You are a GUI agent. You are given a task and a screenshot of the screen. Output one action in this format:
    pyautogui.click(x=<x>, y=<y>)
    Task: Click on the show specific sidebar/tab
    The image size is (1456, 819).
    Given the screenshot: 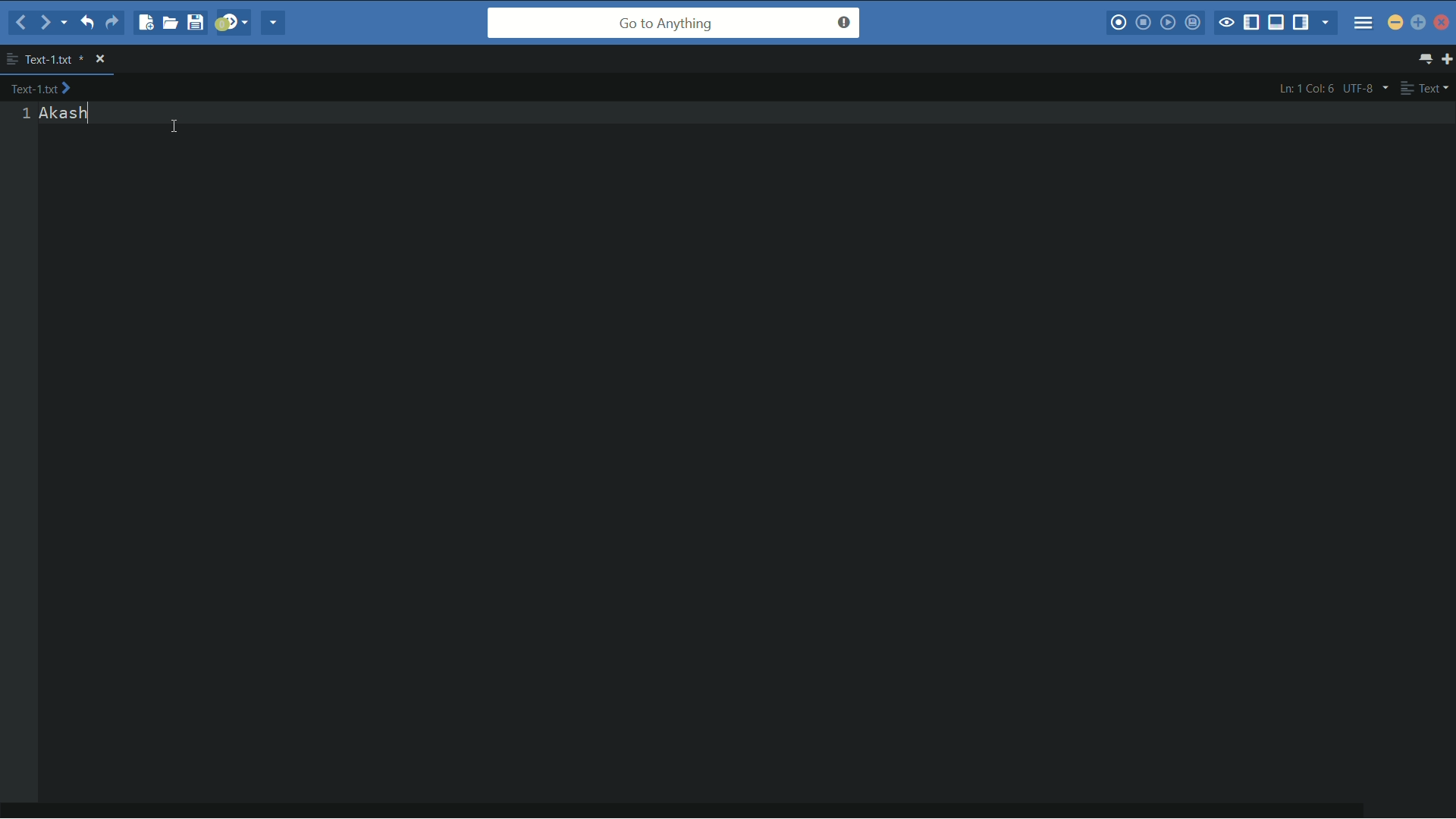 What is the action you would take?
    pyautogui.click(x=1326, y=22)
    